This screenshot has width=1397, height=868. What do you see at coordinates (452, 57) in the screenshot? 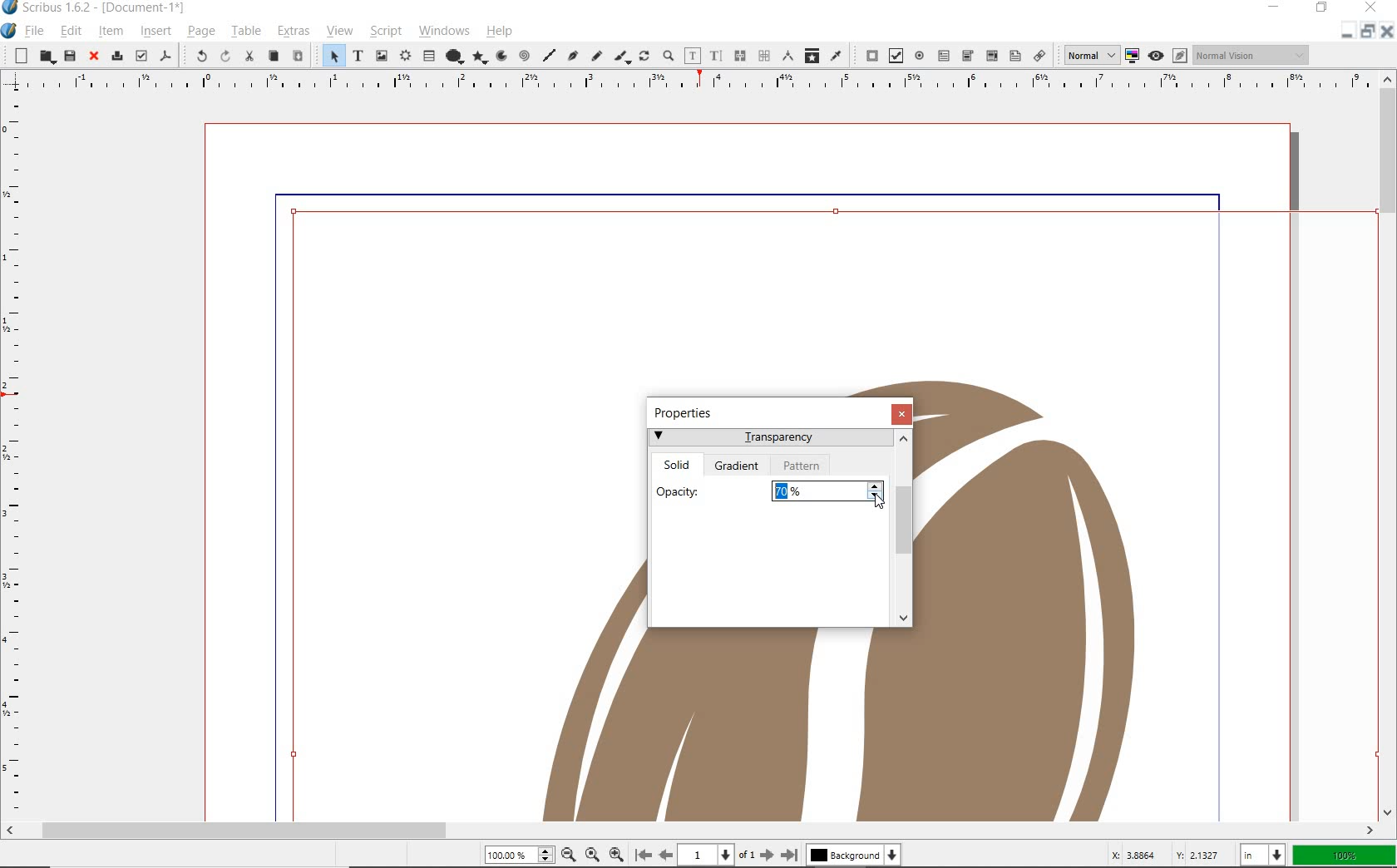
I see `shape` at bounding box center [452, 57].